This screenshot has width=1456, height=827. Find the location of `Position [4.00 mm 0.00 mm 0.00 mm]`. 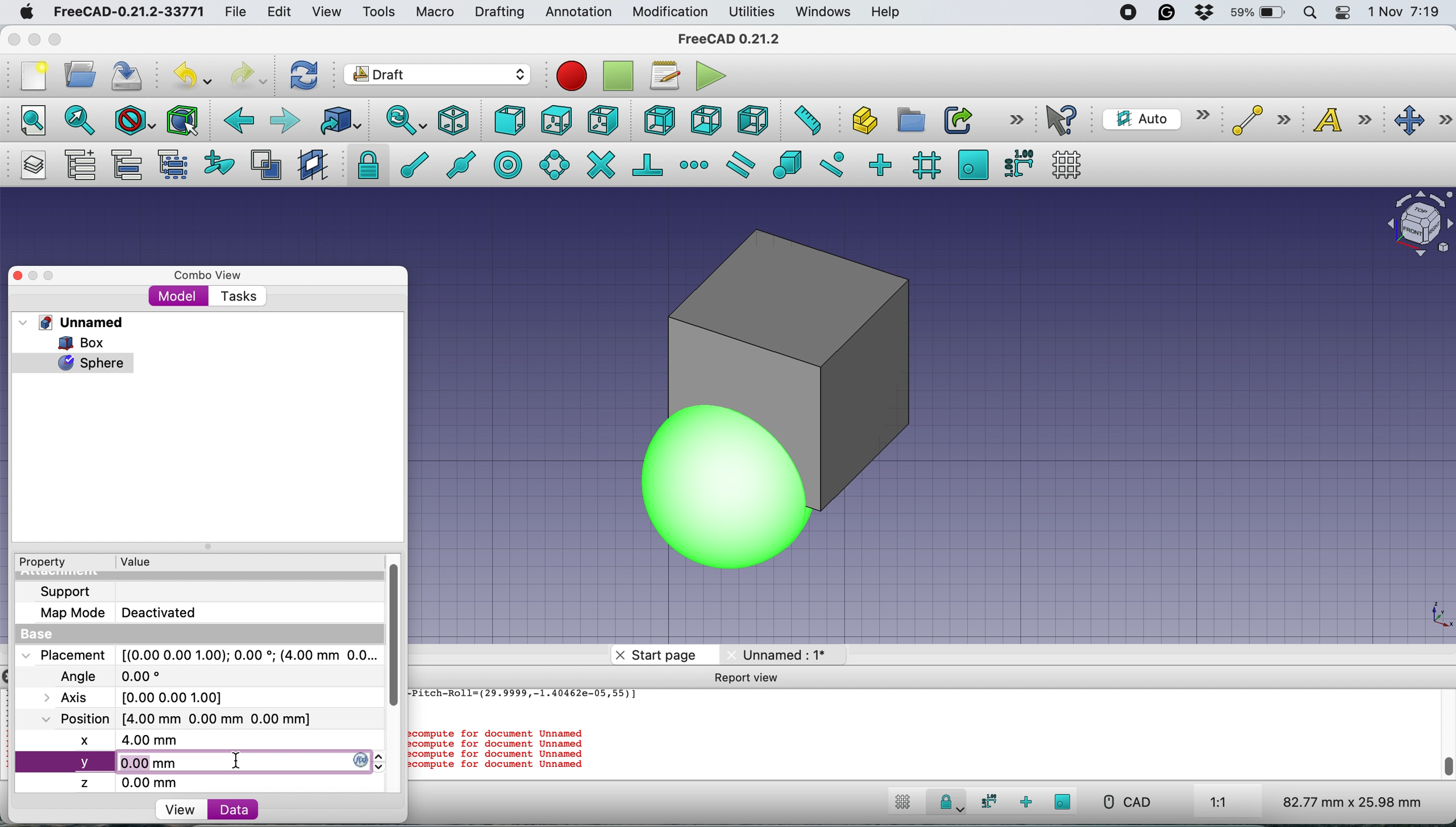

Position [4.00 mm 0.00 mm 0.00 mm] is located at coordinates (177, 720).